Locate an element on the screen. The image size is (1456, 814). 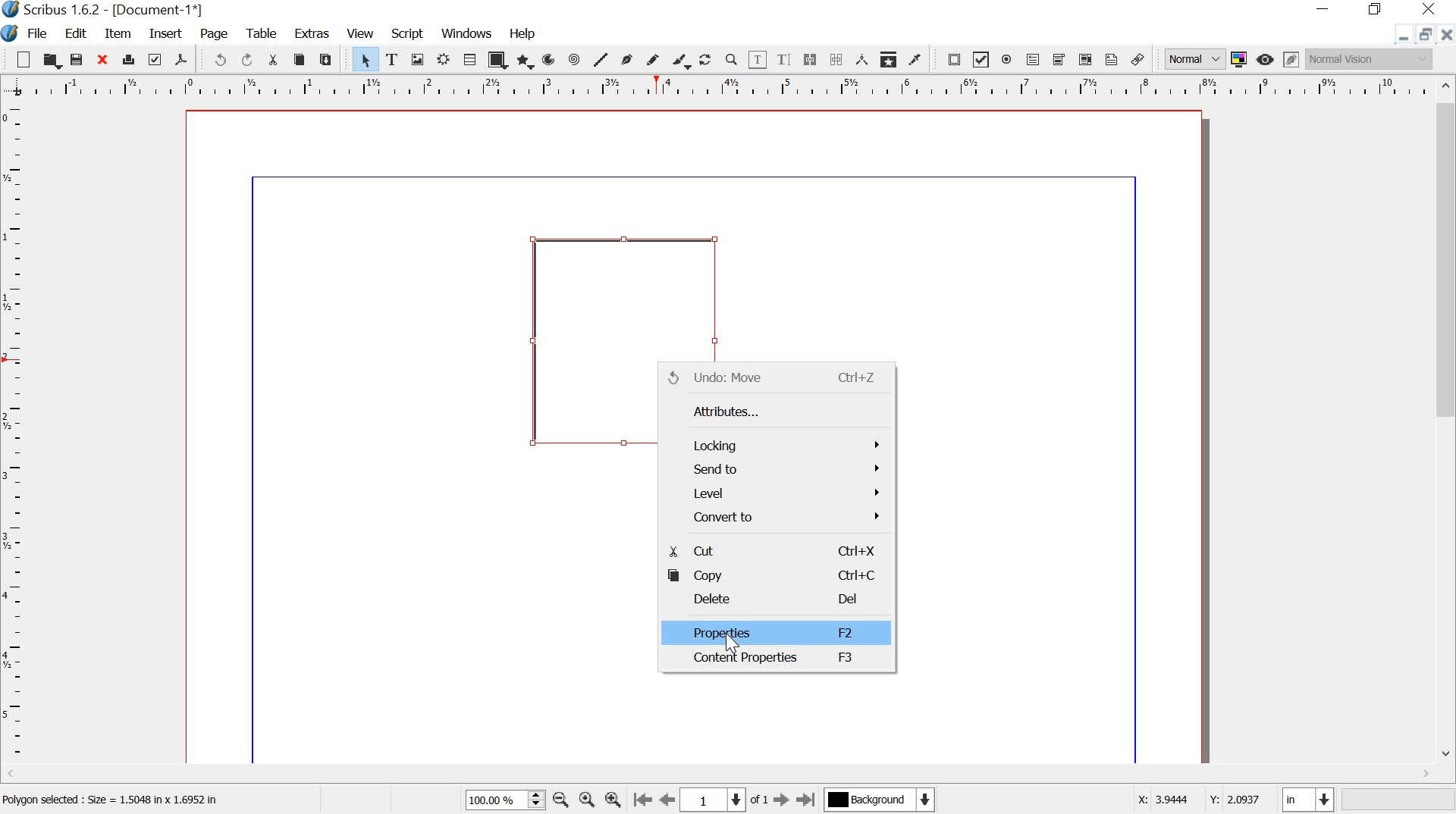
script is located at coordinates (406, 33).